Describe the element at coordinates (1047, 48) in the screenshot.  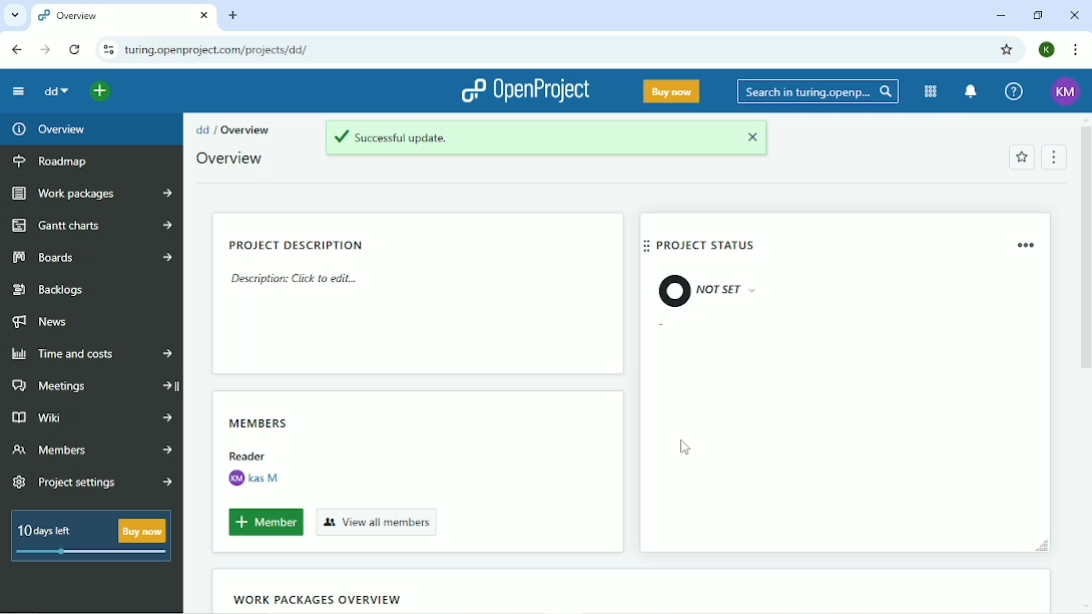
I see `Account` at that location.